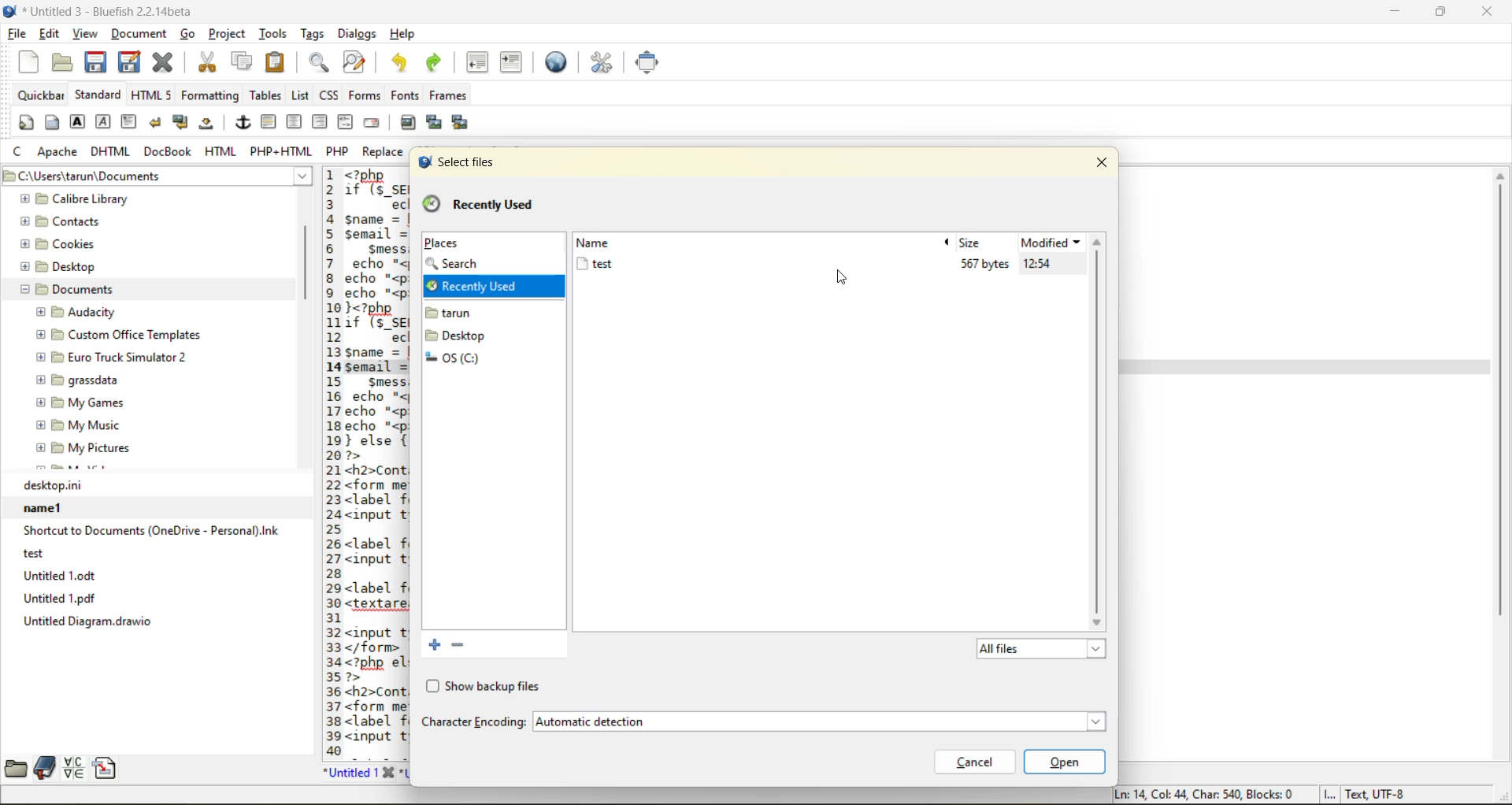  What do you see at coordinates (1052, 243) in the screenshot?
I see `modified` at bounding box center [1052, 243].